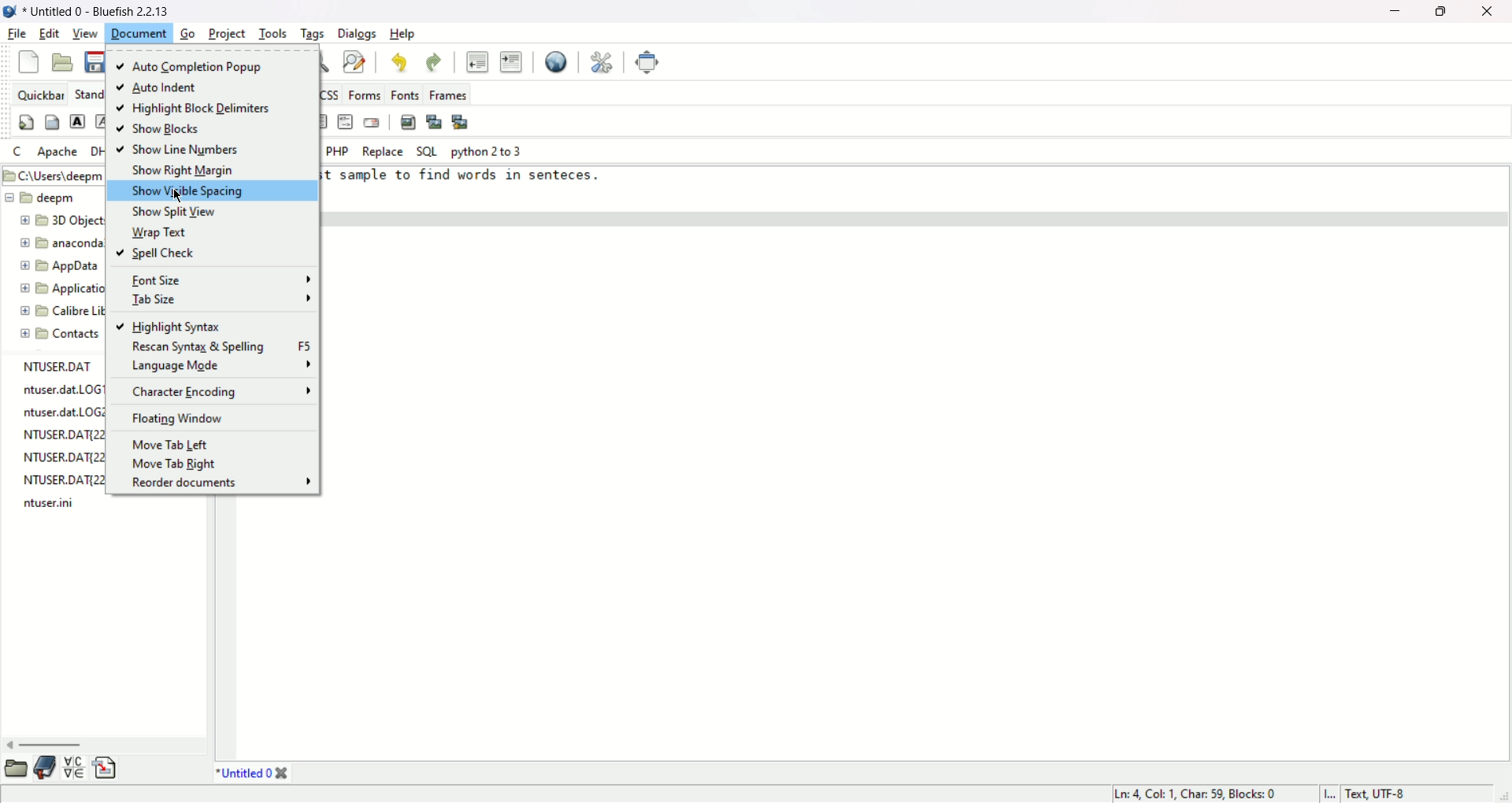  I want to click on move tab left, so click(191, 443).